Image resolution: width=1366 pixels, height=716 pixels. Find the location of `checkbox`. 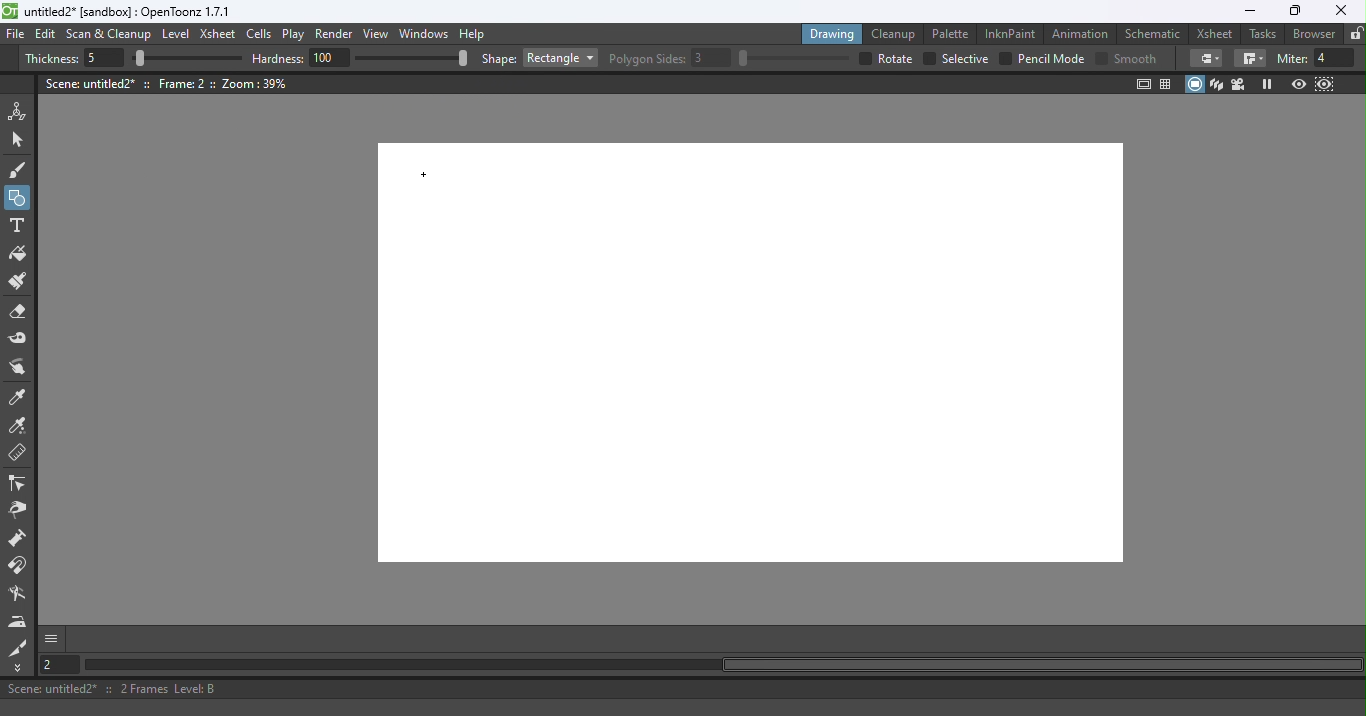

checkbox is located at coordinates (928, 59).